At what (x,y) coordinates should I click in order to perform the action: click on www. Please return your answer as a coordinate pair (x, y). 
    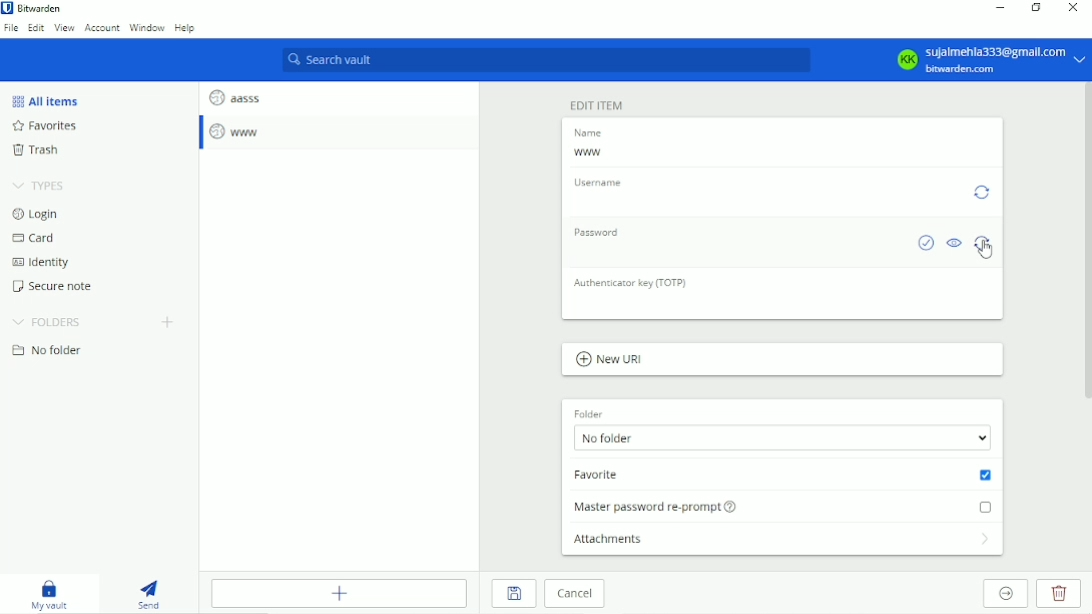
    Looking at the image, I should click on (237, 132).